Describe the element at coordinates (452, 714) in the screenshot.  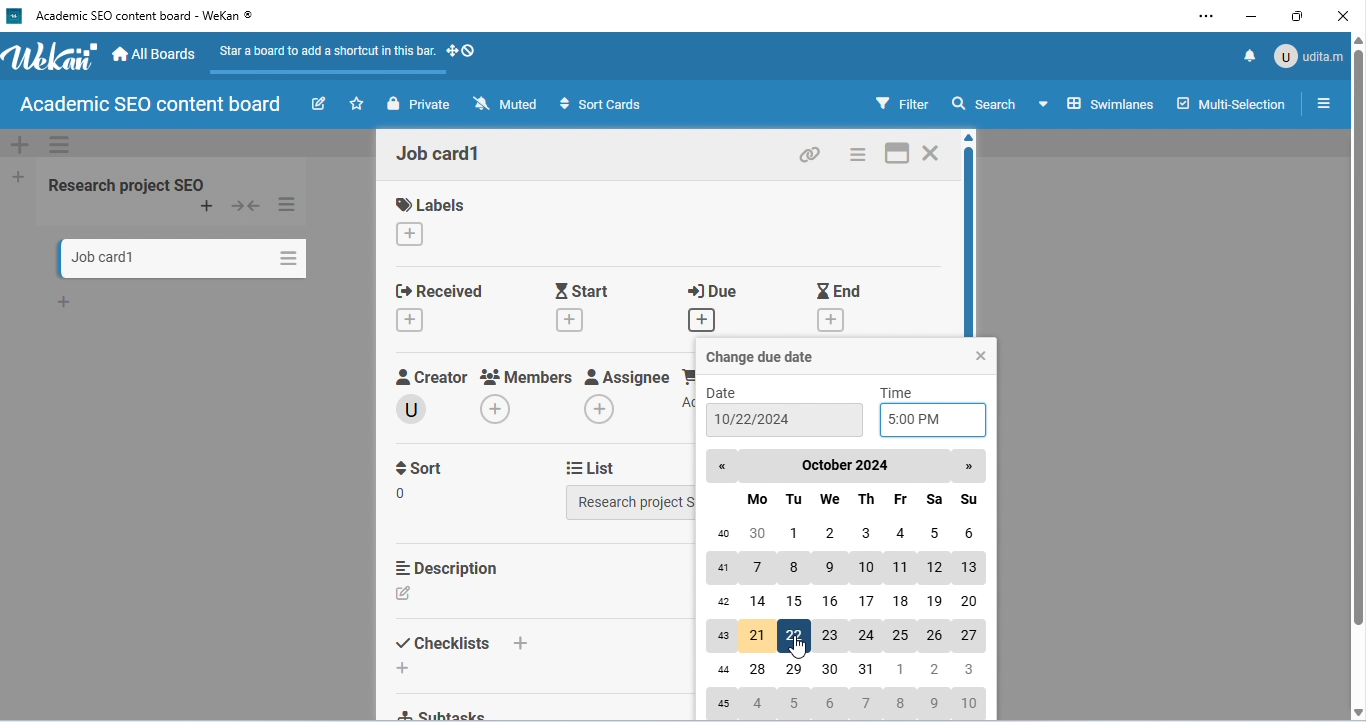
I see `subtasks` at that location.